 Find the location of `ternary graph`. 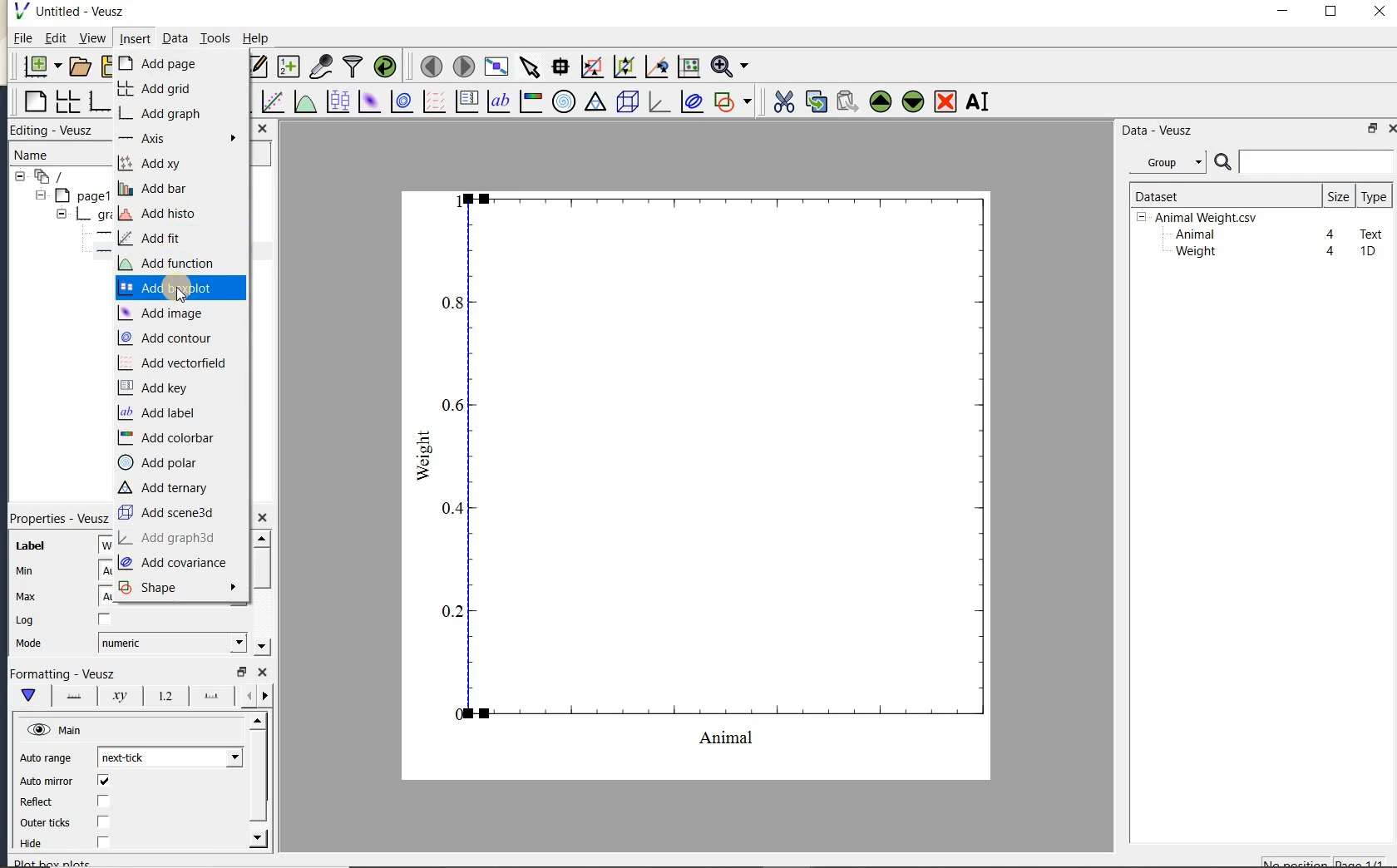

ternary graph is located at coordinates (595, 104).